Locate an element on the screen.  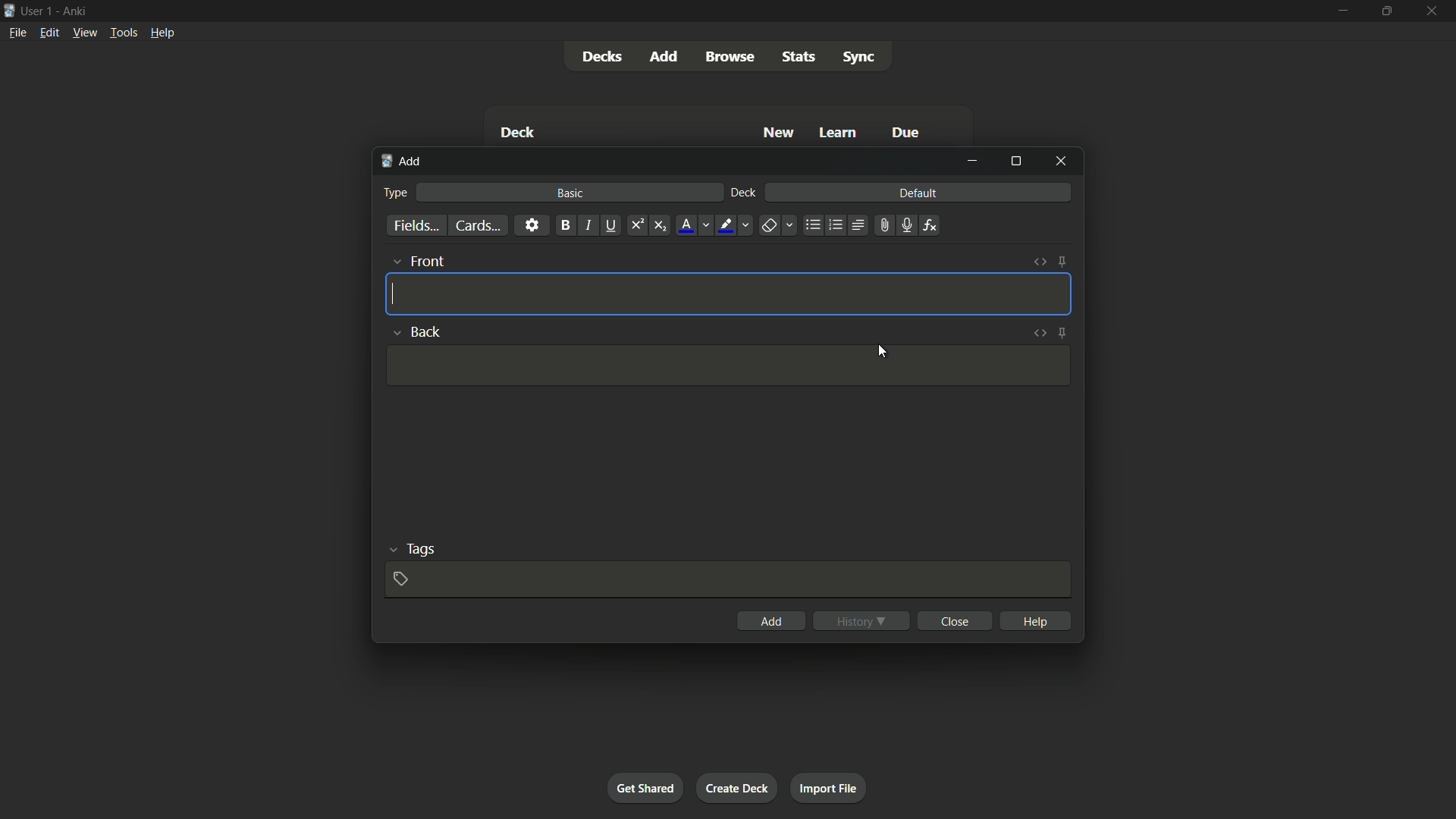
deck is located at coordinates (743, 192).